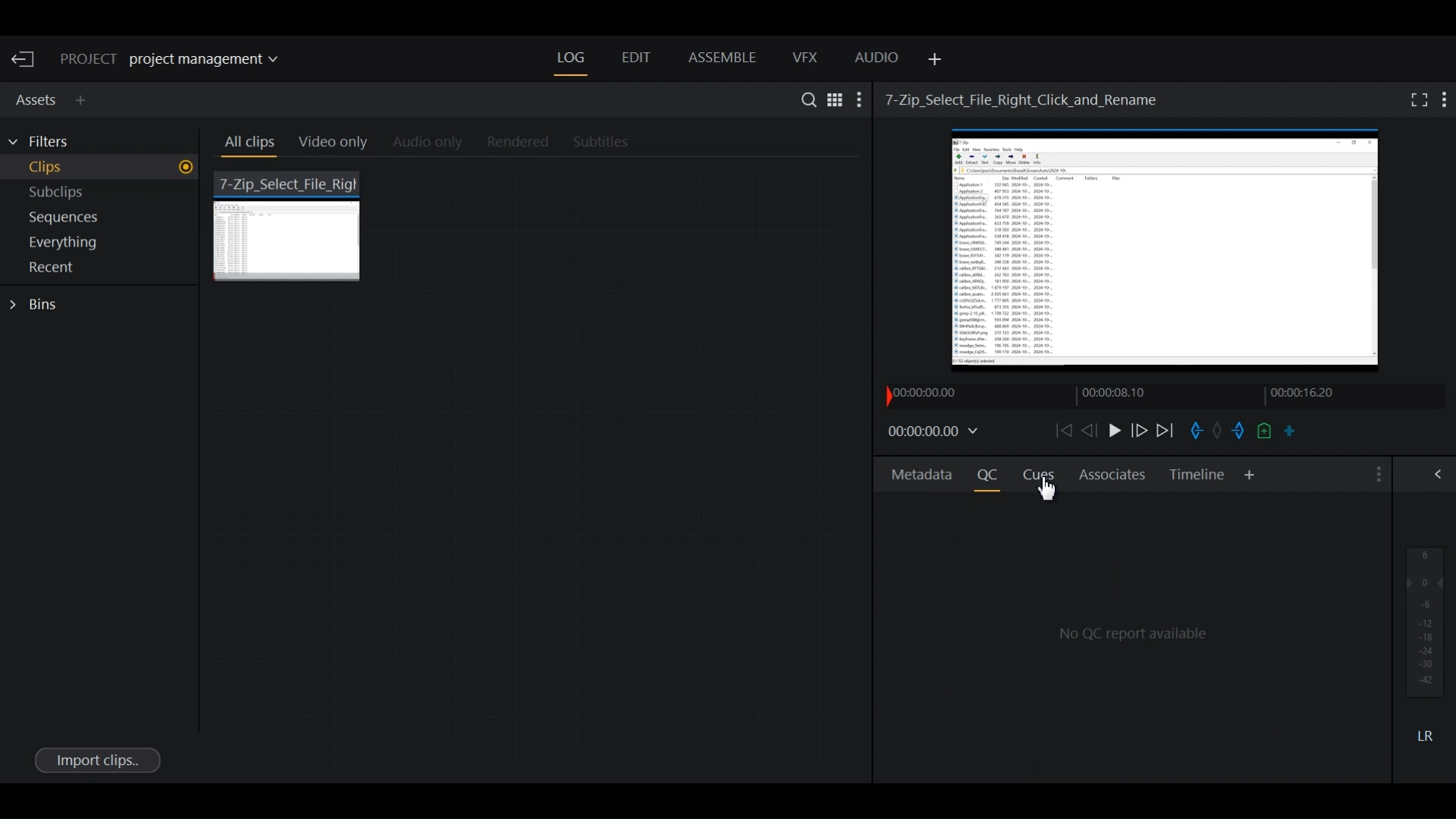 The width and height of the screenshot is (1456, 819). Describe the element at coordinates (247, 145) in the screenshot. I see `All clips` at that location.